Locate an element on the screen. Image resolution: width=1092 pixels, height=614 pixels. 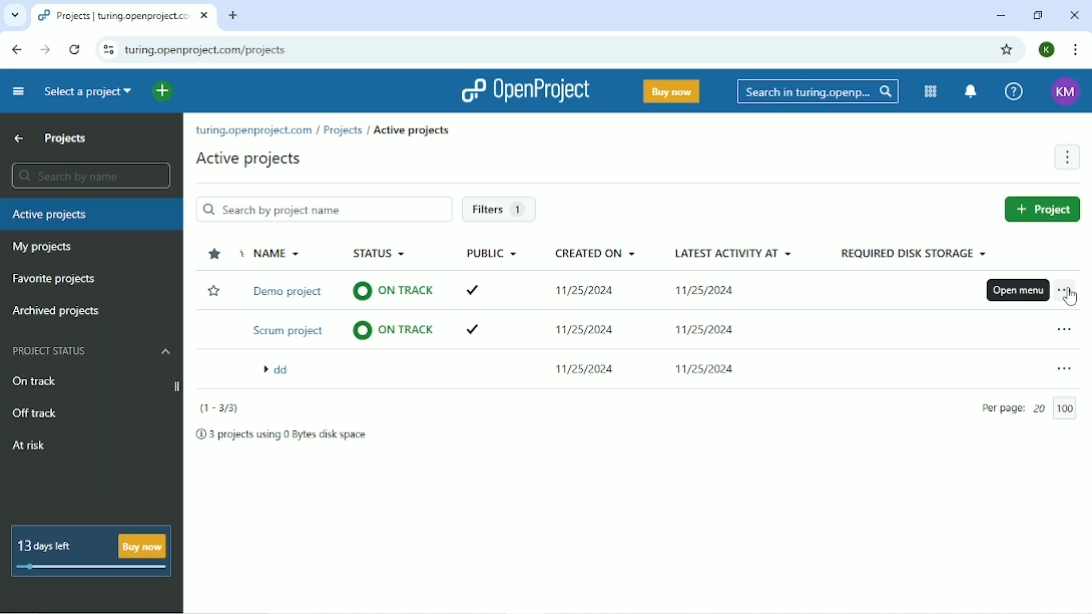
Close is located at coordinates (1076, 16).